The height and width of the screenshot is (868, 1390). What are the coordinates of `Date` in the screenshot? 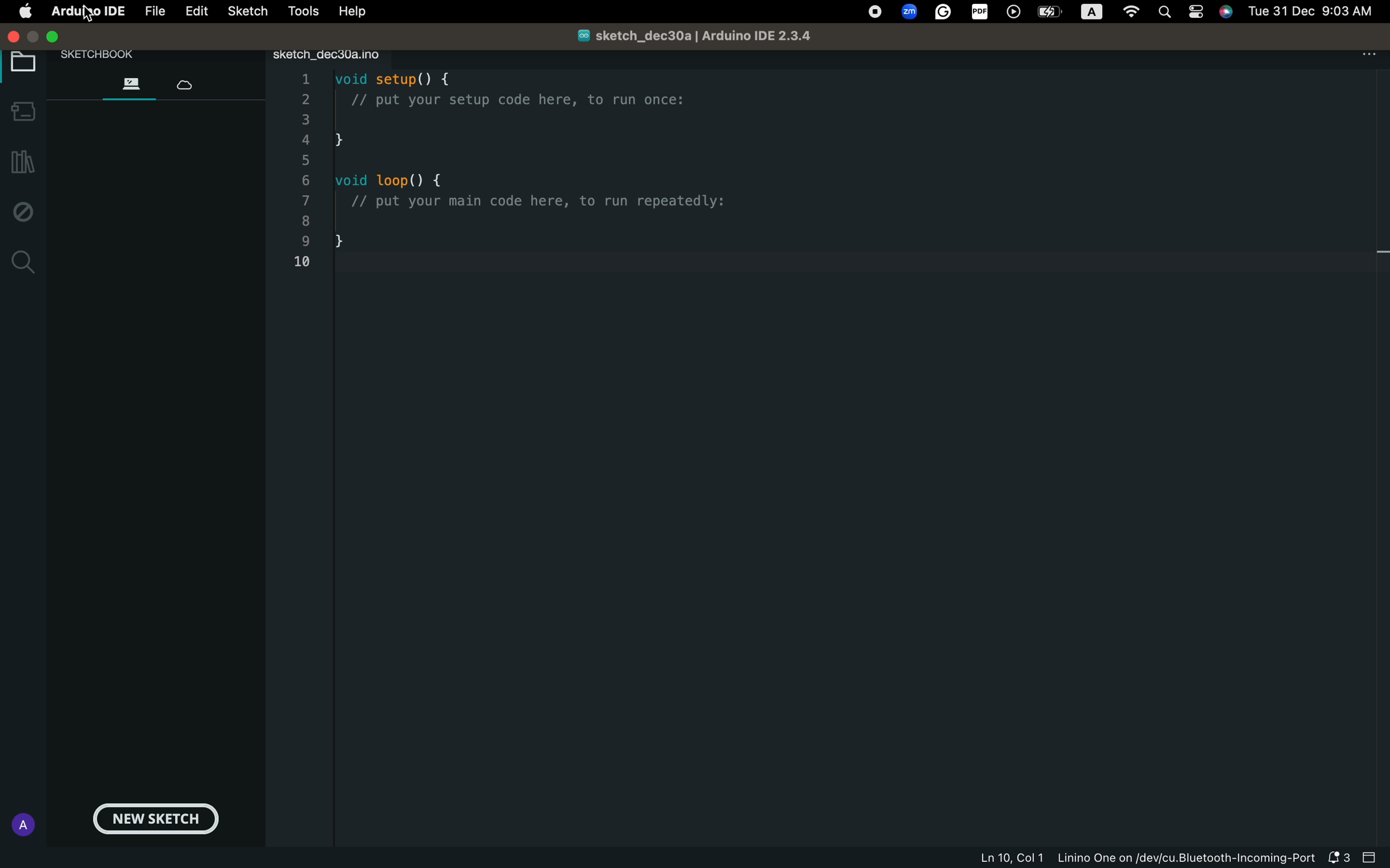 It's located at (1312, 10).